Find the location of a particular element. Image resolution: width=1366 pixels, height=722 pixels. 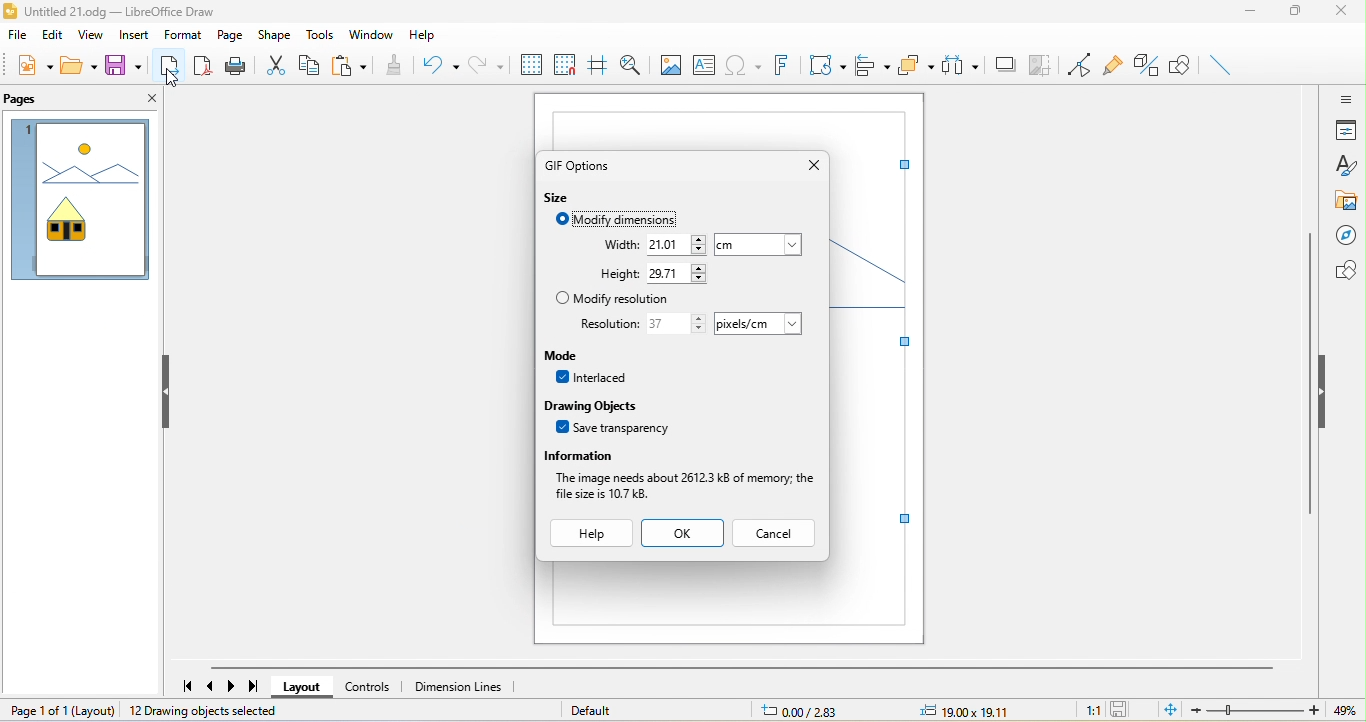

zoom and pan is located at coordinates (632, 63).